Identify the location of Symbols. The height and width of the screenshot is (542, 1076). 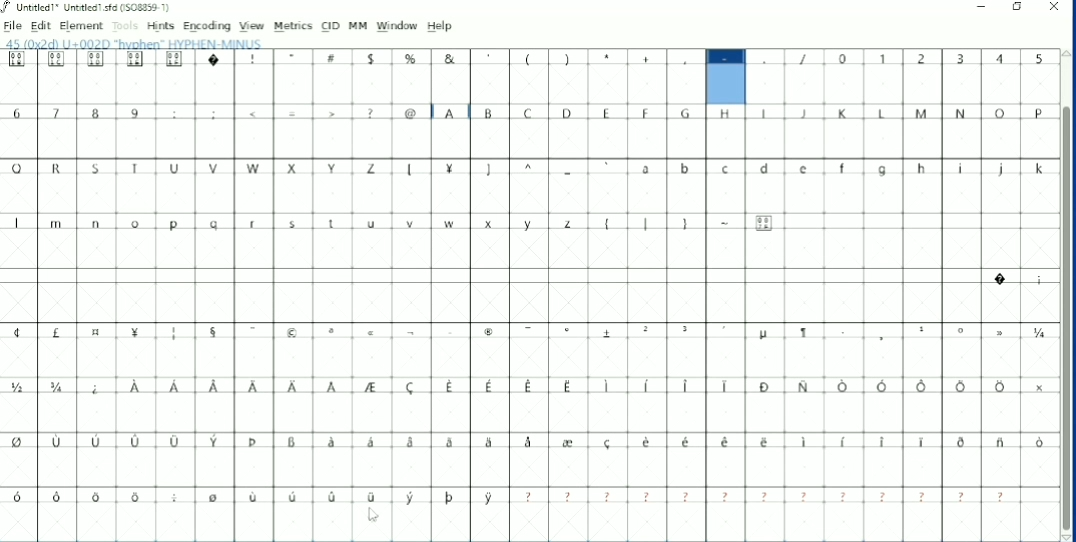
(412, 59).